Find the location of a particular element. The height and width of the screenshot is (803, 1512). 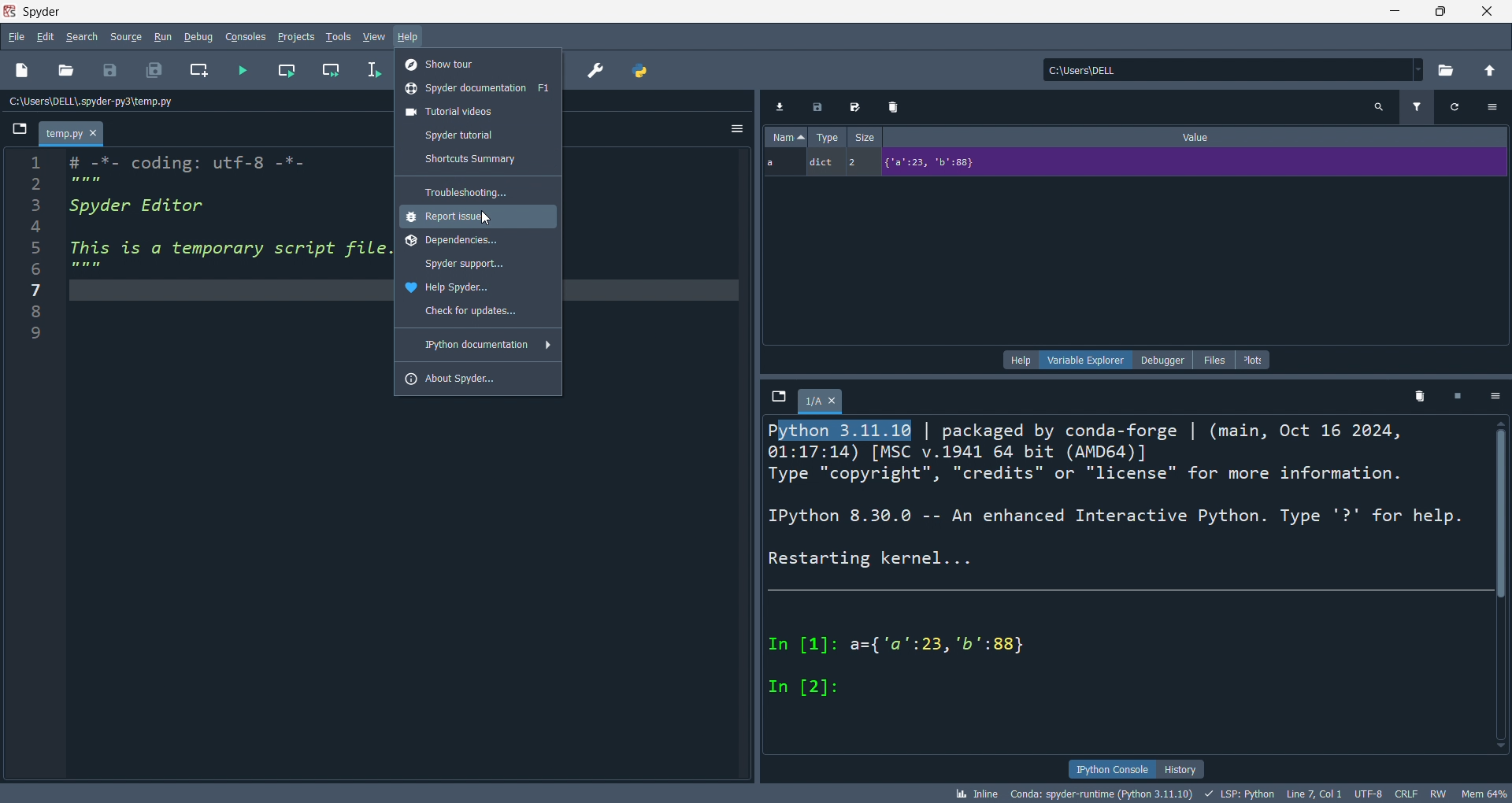

search is located at coordinates (83, 37).